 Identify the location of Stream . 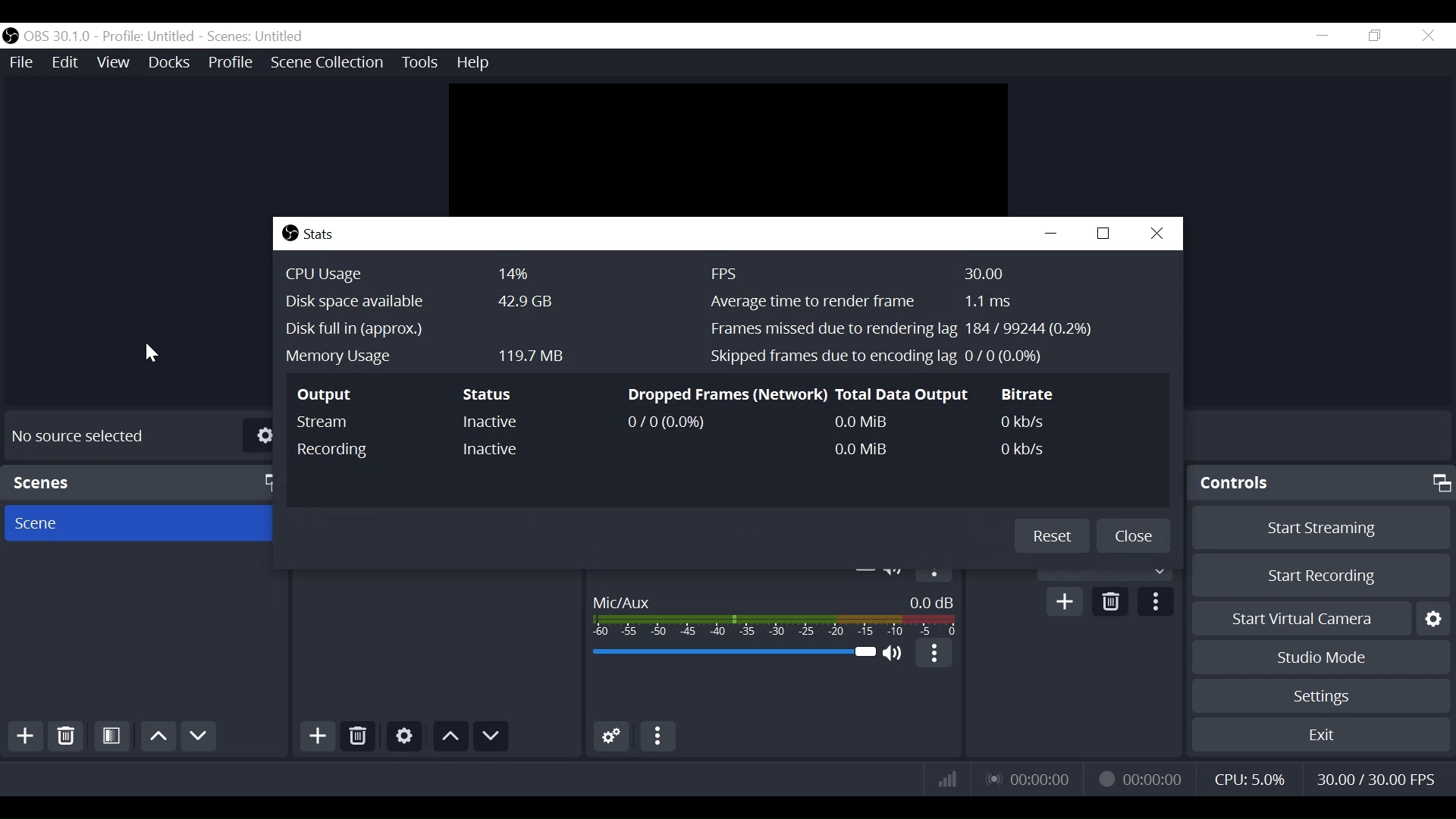
(334, 422).